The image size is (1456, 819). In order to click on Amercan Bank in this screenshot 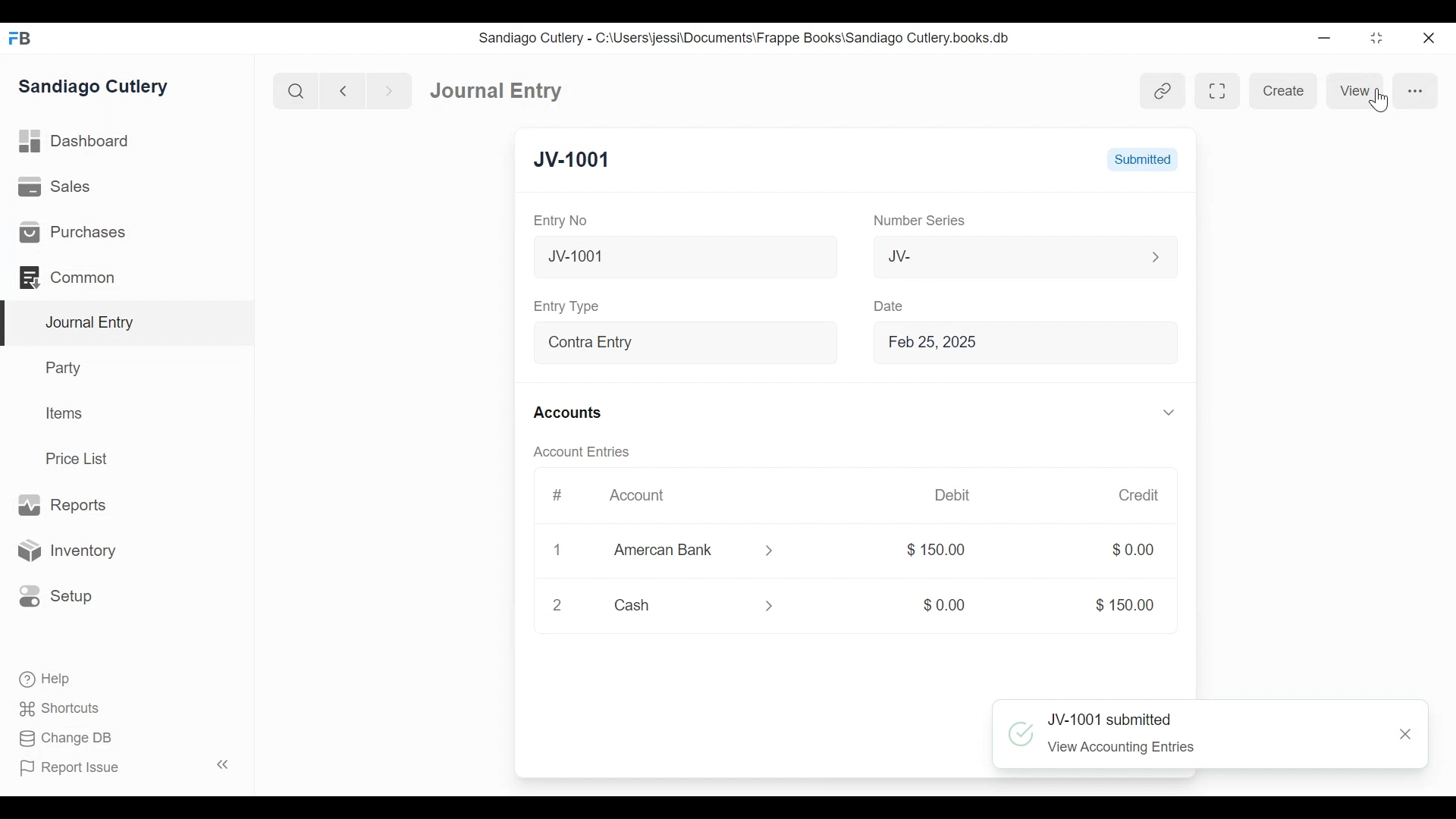, I will do `click(679, 552)`.